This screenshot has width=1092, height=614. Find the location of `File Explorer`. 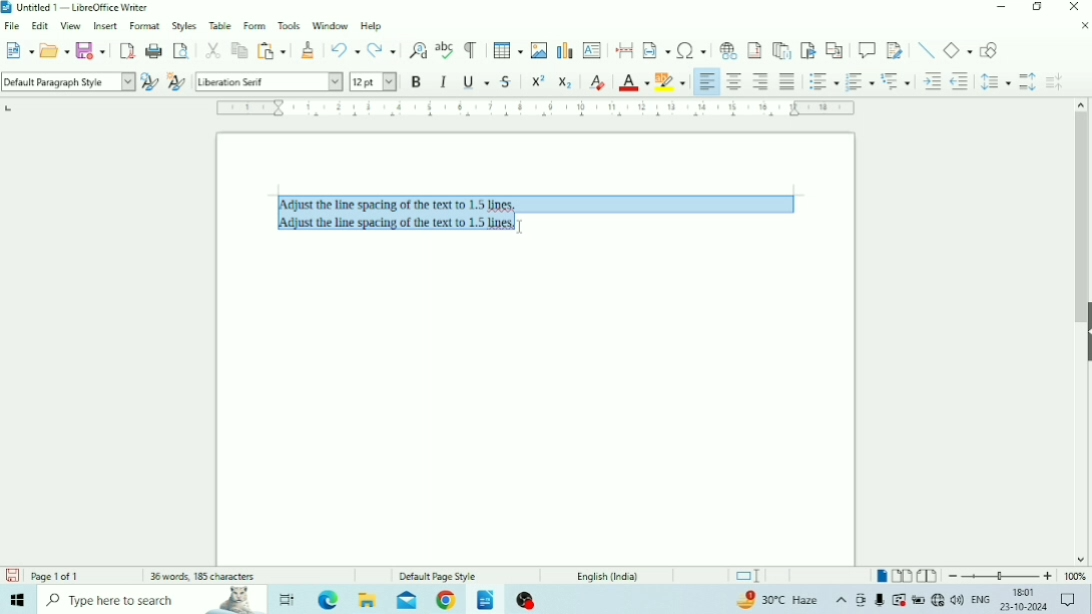

File Explorer is located at coordinates (367, 599).